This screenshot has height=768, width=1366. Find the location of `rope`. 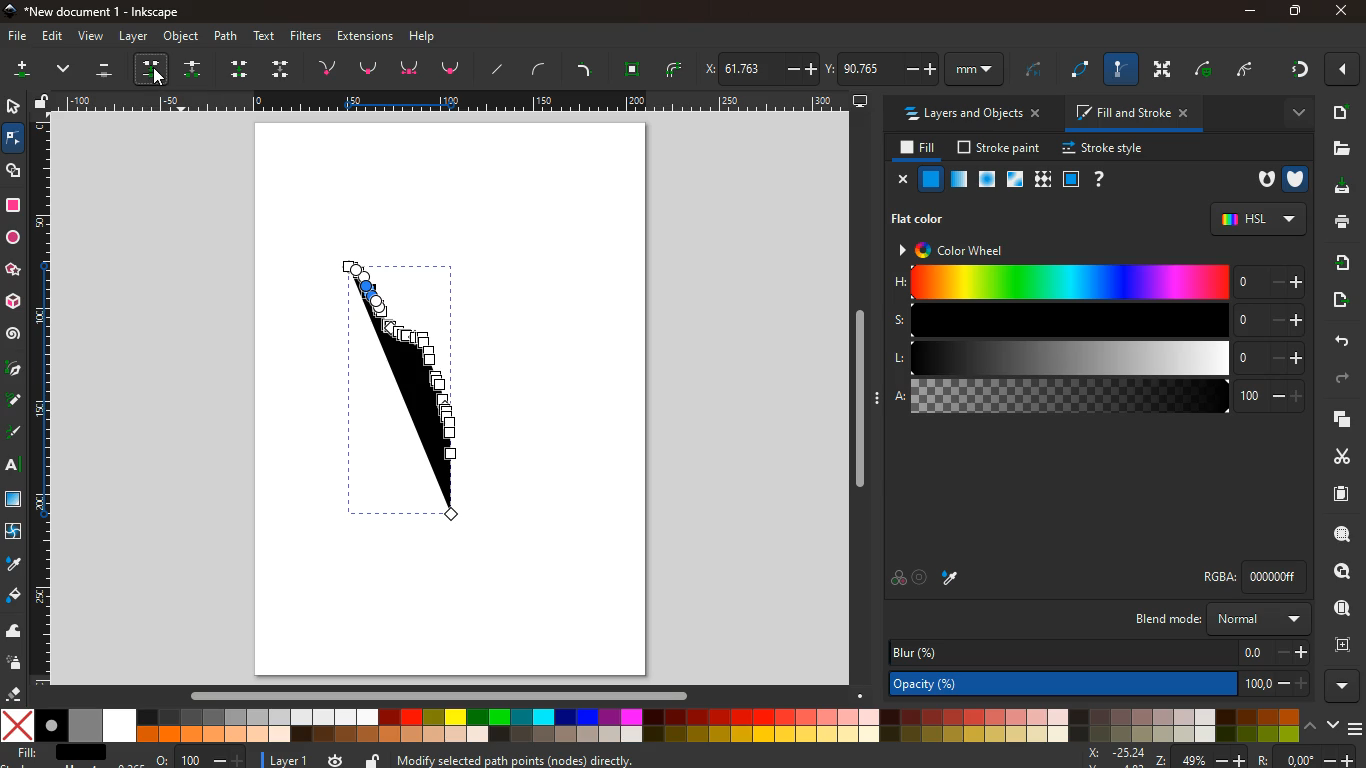

rope is located at coordinates (1034, 72).